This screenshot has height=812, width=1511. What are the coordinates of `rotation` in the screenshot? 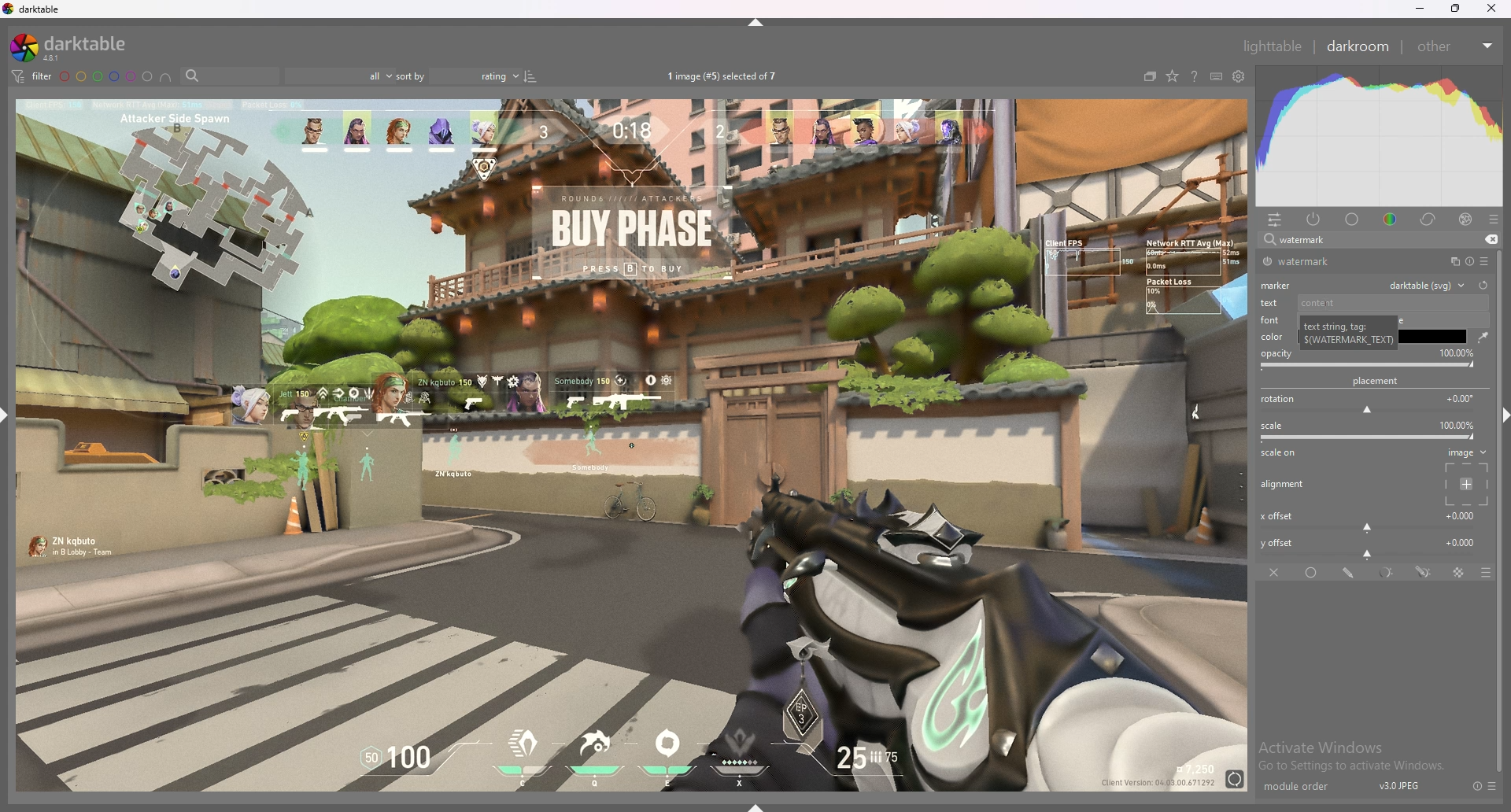 It's located at (1371, 404).